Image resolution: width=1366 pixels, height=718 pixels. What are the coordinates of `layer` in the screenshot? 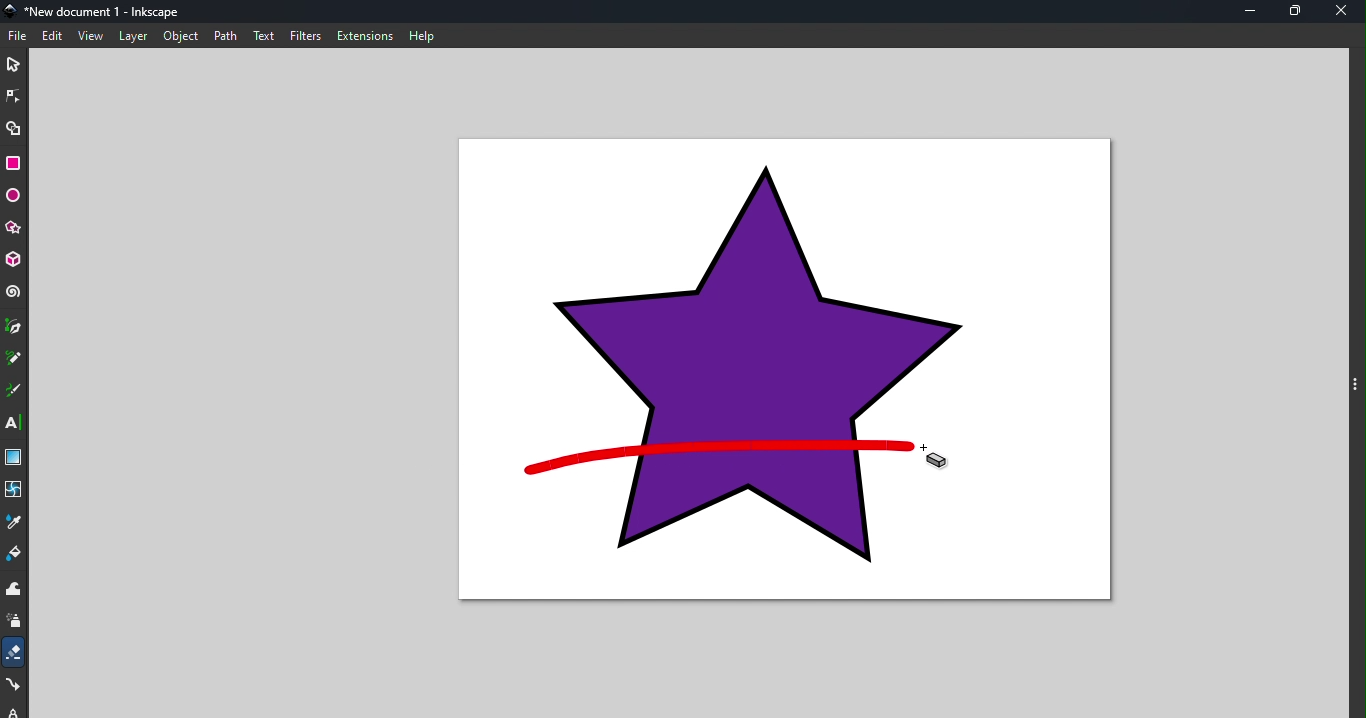 It's located at (133, 36).